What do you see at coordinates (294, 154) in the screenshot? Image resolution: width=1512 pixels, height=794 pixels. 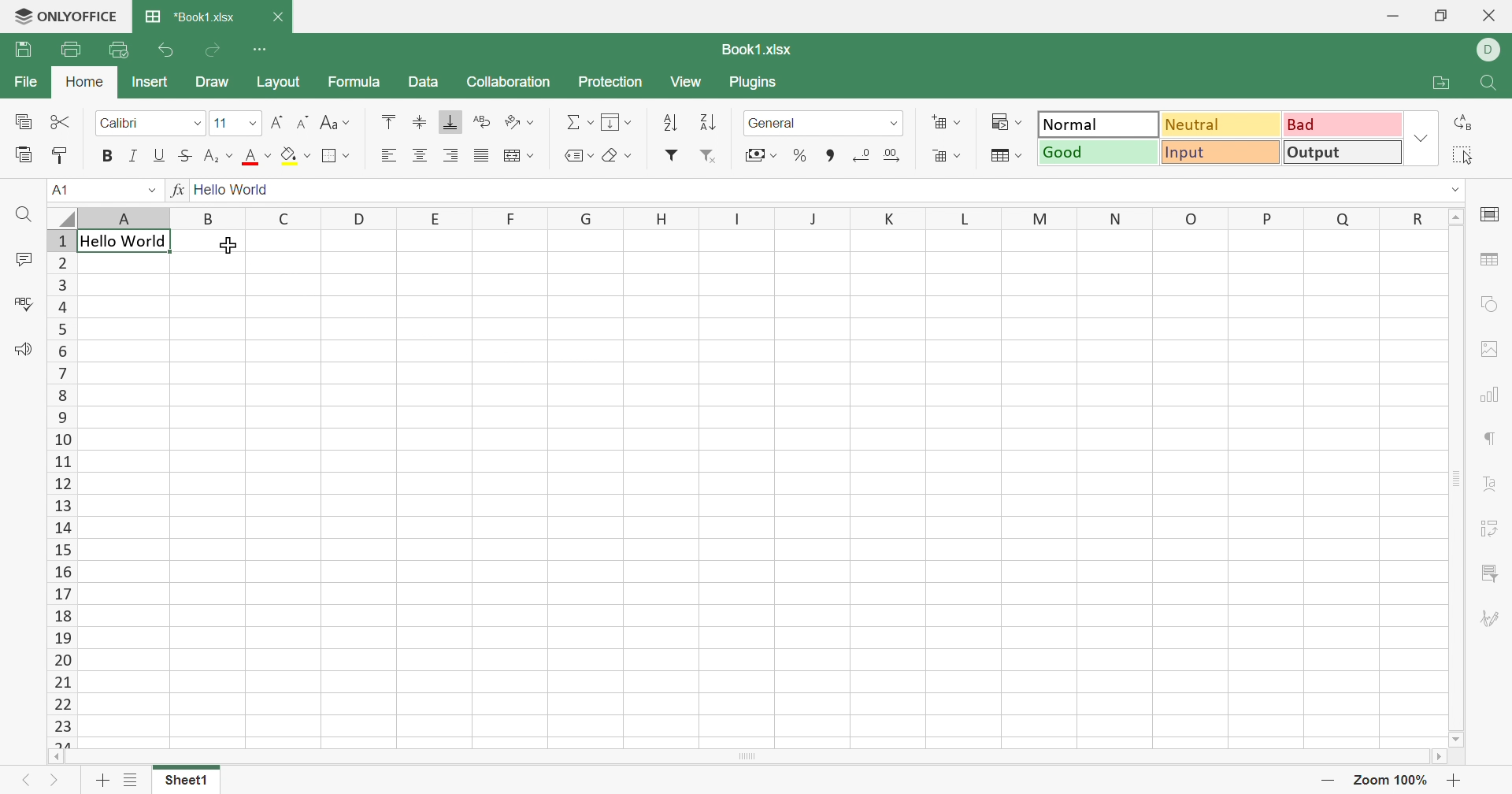 I see `Fill color` at bounding box center [294, 154].